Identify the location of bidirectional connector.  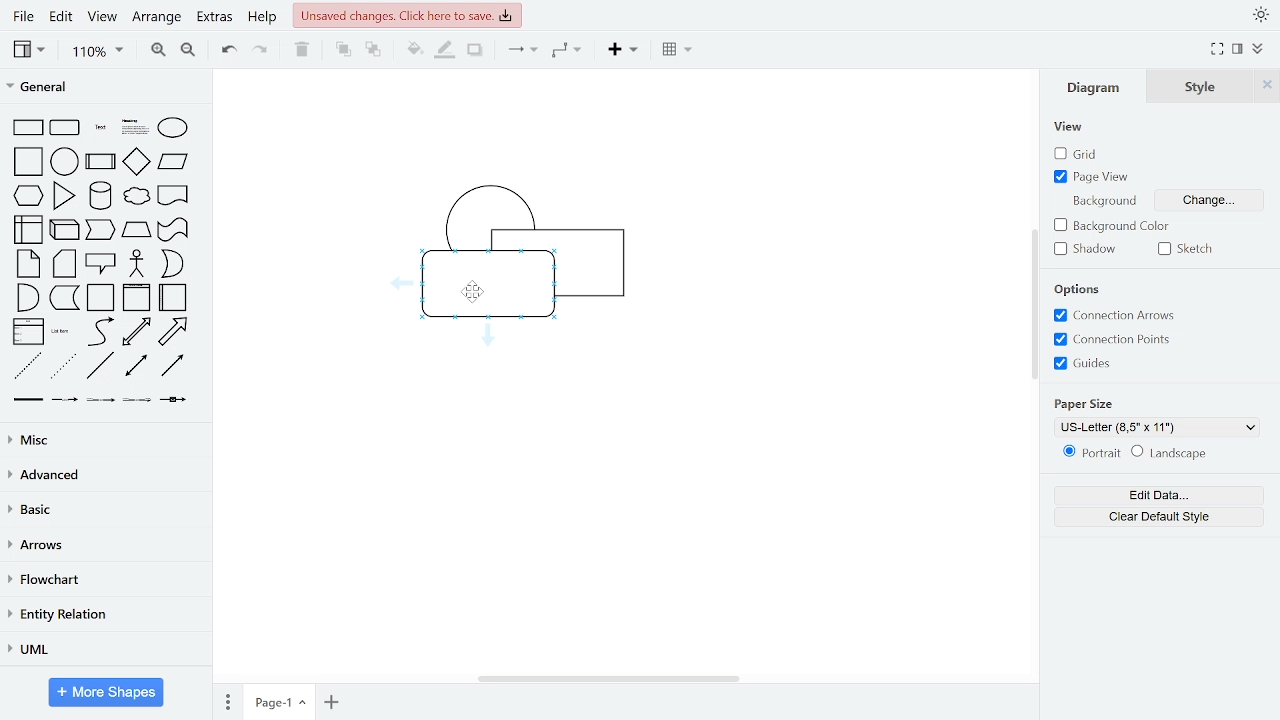
(137, 366).